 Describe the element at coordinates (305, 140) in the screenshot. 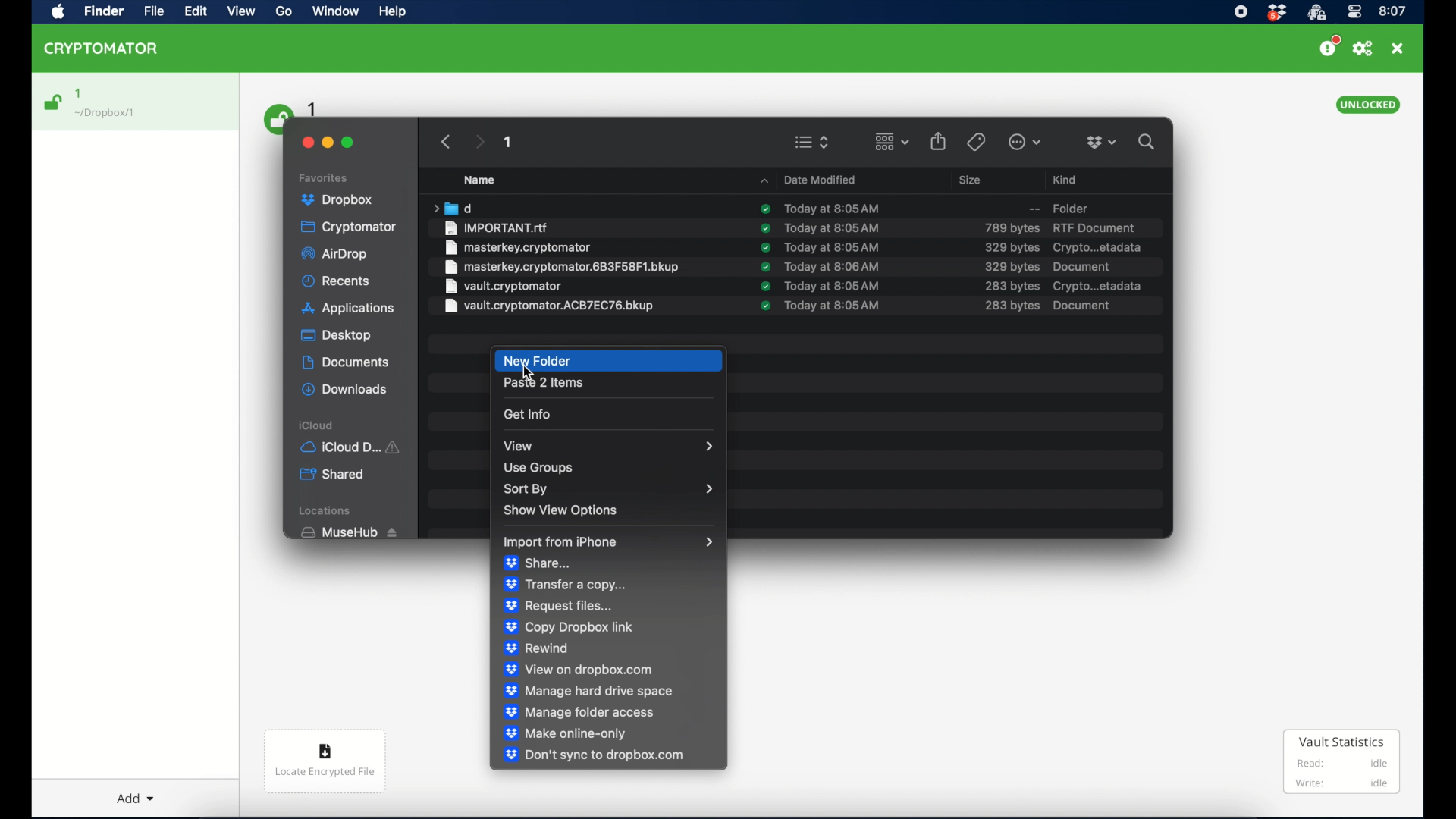

I see `close` at that location.